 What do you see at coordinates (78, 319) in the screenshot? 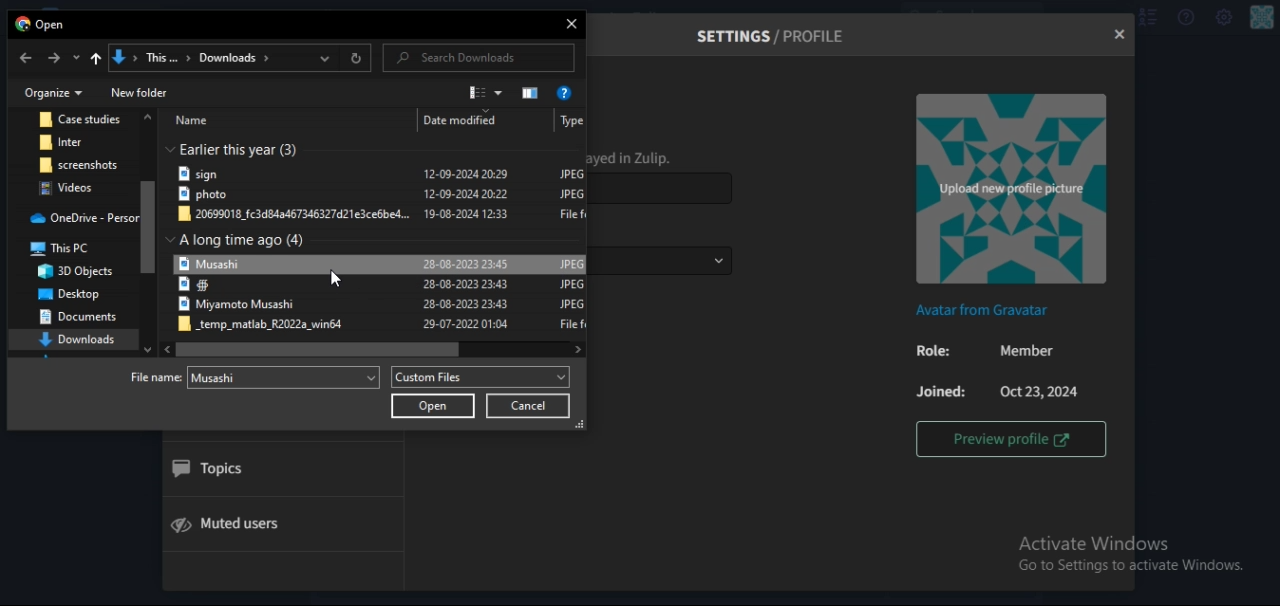
I see `documnet` at bounding box center [78, 319].